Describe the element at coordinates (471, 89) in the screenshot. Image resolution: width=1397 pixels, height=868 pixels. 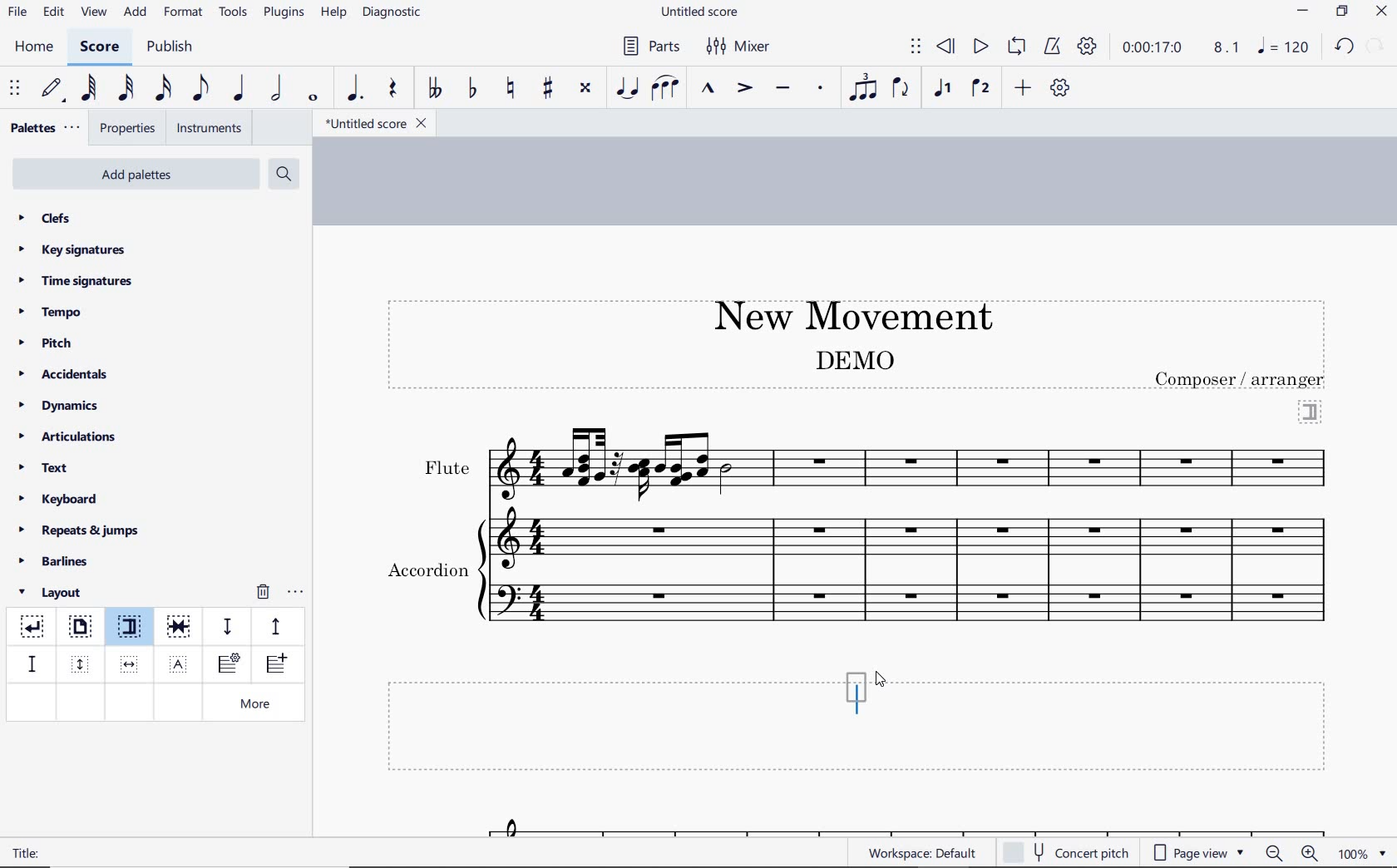
I see `toggle flat` at that location.